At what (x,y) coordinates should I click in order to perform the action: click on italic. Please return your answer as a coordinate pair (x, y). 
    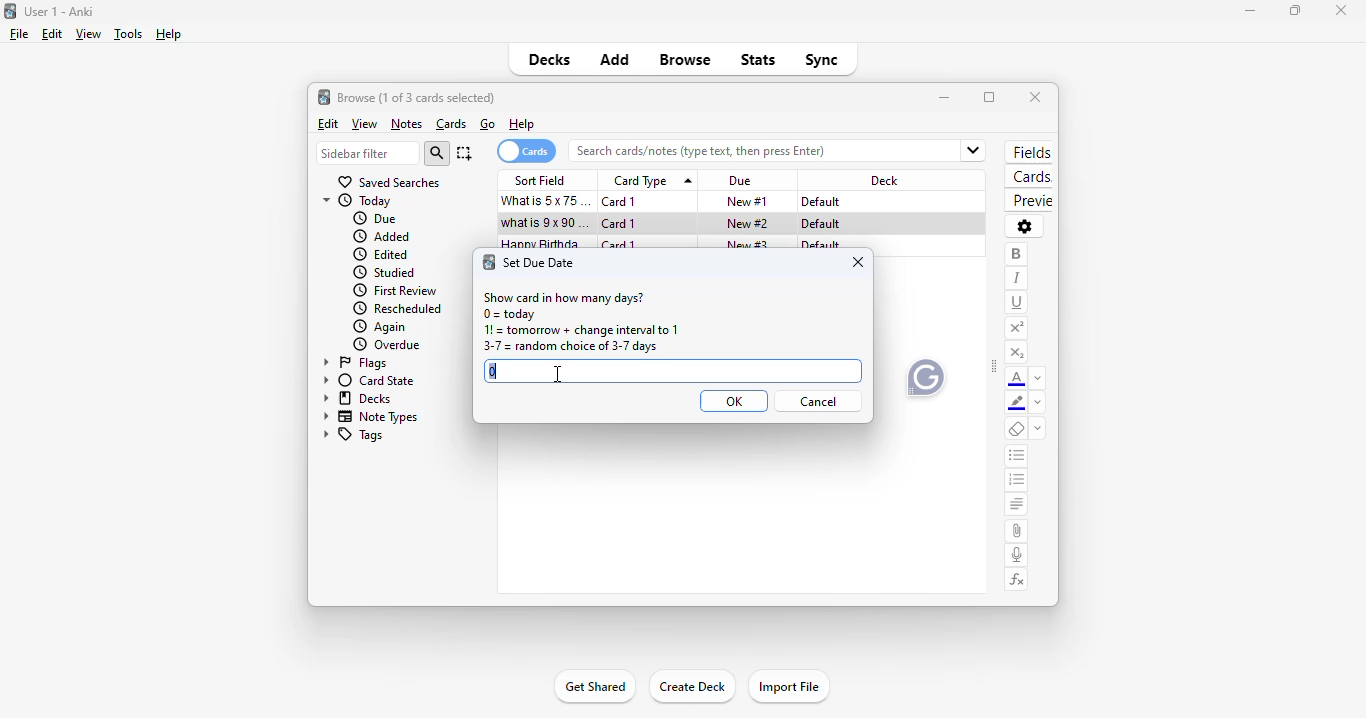
    Looking at the image, I should click on (1015, 278).